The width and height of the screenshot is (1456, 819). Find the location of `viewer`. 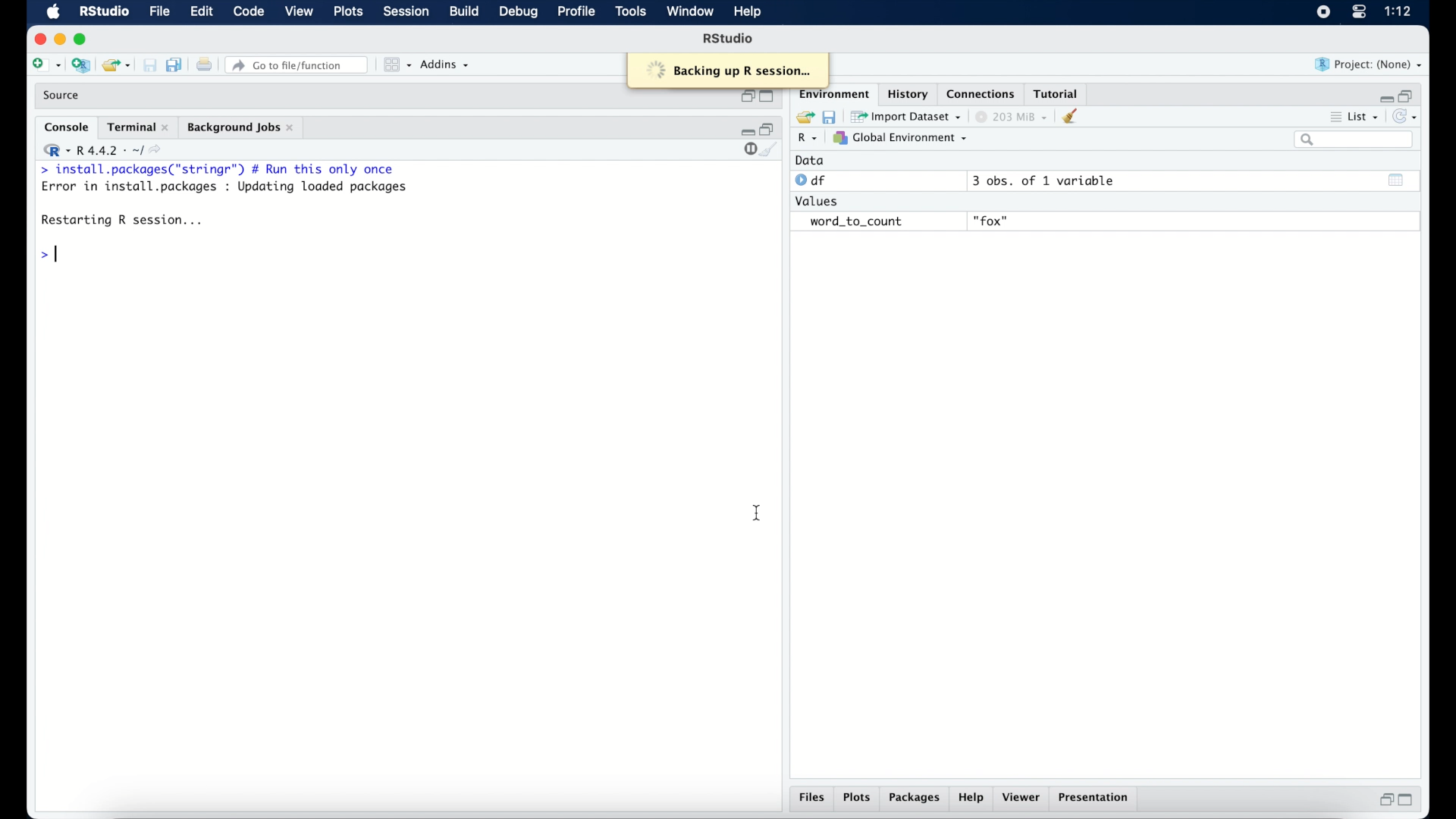

viewer is located at coordinates (1022, 798).